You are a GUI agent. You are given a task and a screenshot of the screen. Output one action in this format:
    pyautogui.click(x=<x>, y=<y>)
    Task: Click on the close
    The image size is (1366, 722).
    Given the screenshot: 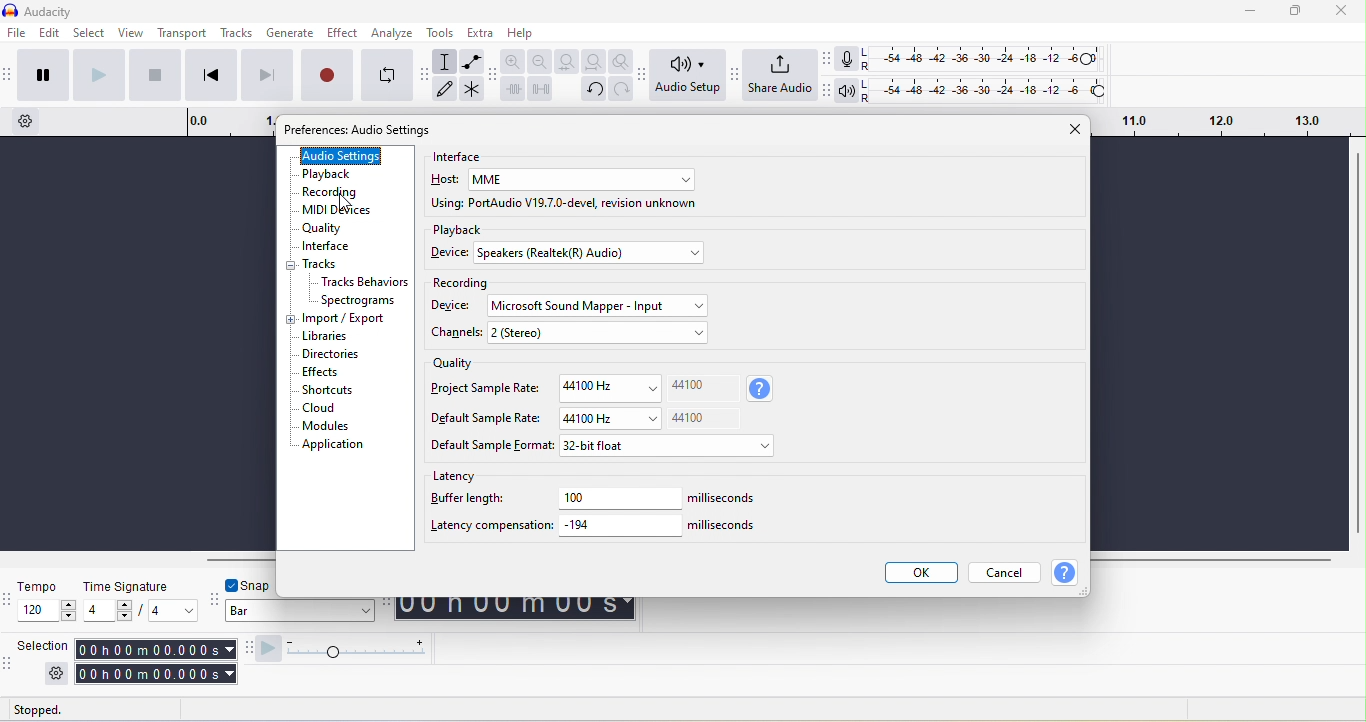 What is the action you would take?
    pyautogui.click(x=1070, y=129)
    